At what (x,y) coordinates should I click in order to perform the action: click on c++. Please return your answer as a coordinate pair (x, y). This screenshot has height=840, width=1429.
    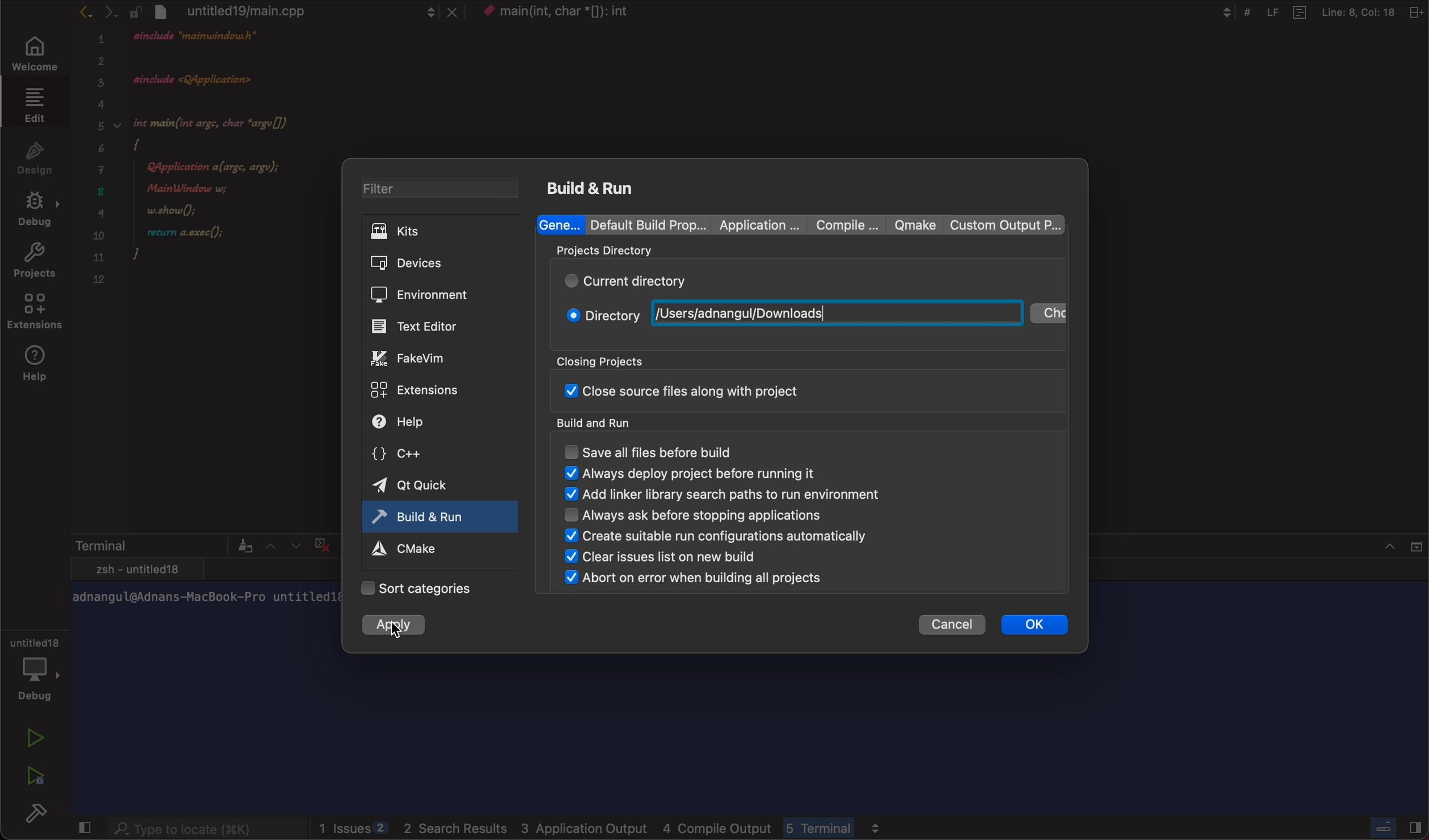
    Looking at the image, I should click on (421, 453).